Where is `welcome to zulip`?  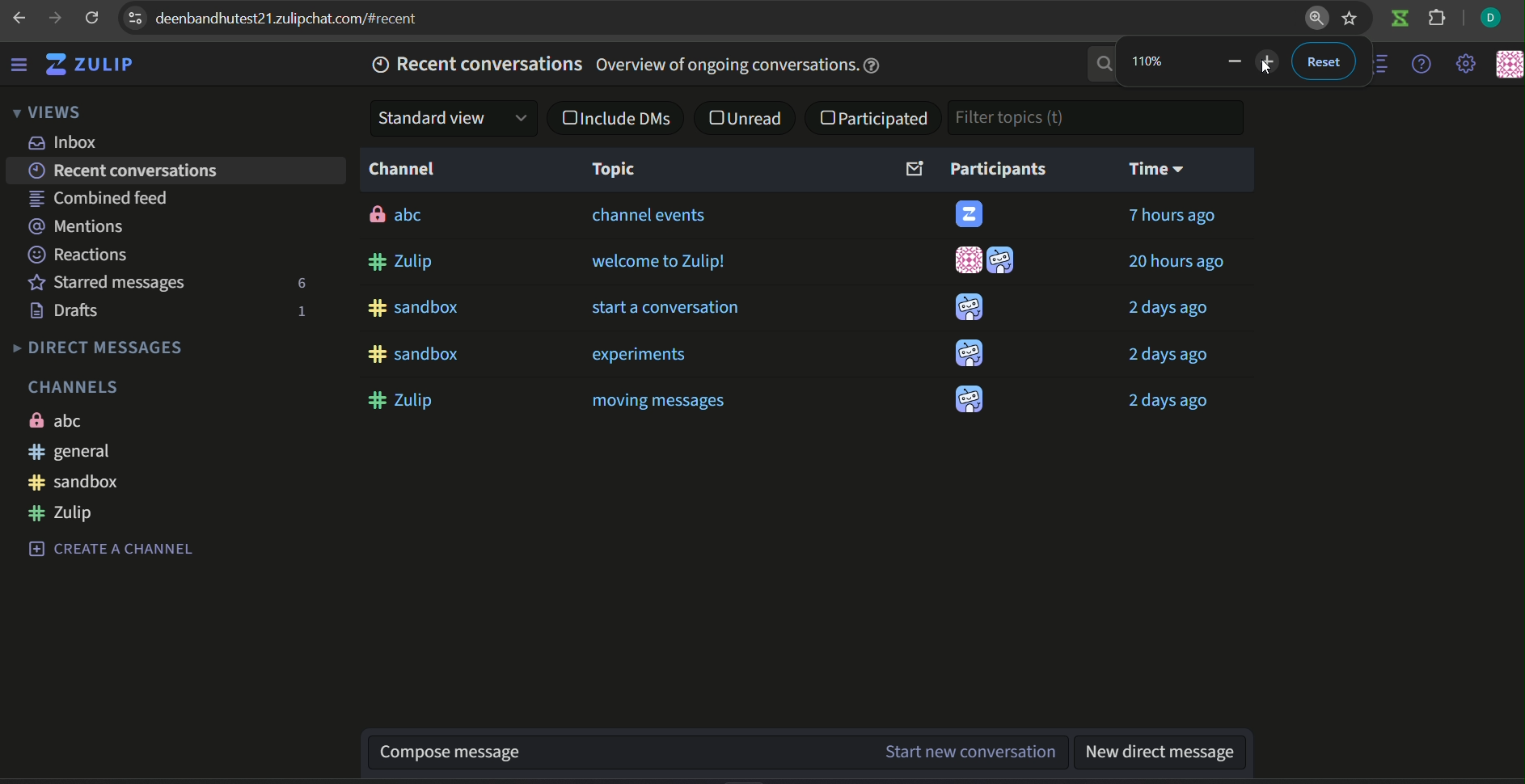 welcome to zulip is located at coordinates (657, 259).